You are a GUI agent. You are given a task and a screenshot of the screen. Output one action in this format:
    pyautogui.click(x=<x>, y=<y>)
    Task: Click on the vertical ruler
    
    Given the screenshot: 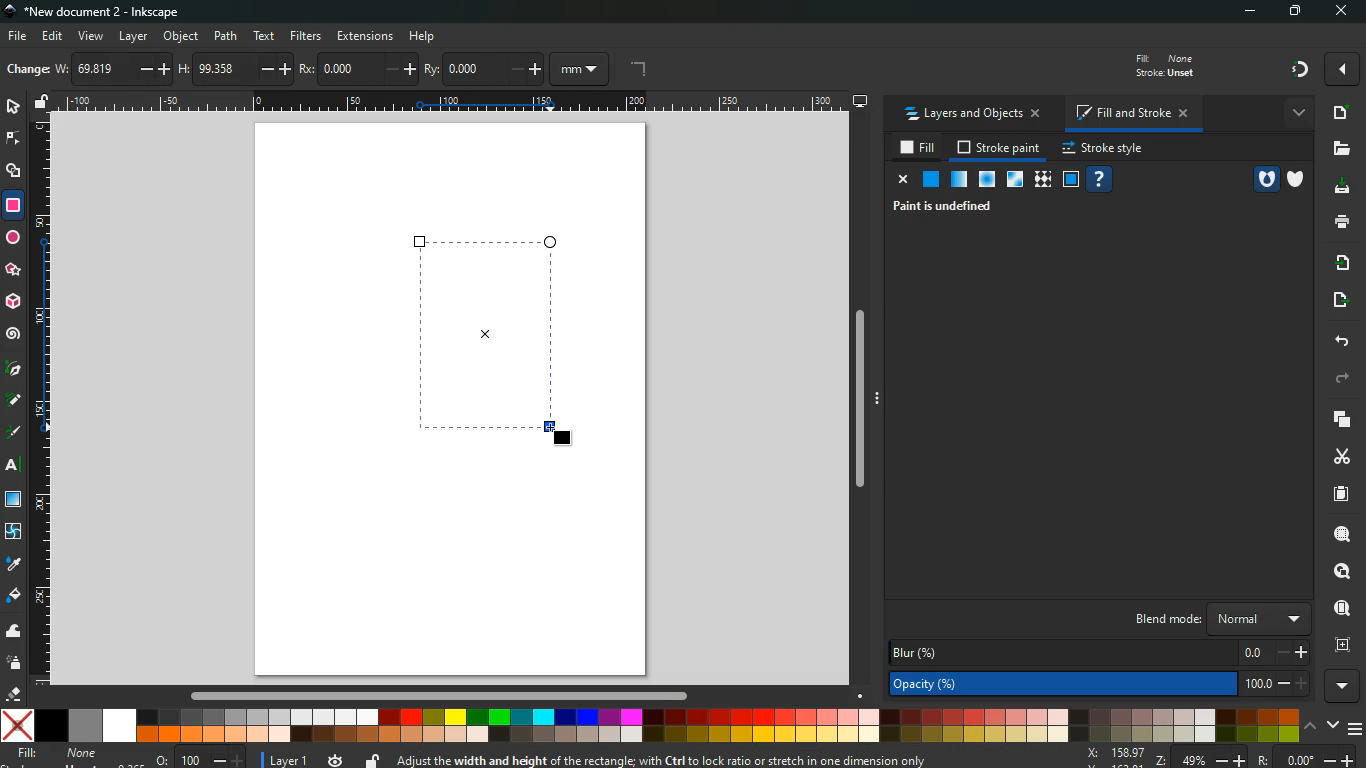 What is the action you would take?
    pyautogui.click(x=43, y=405)
    